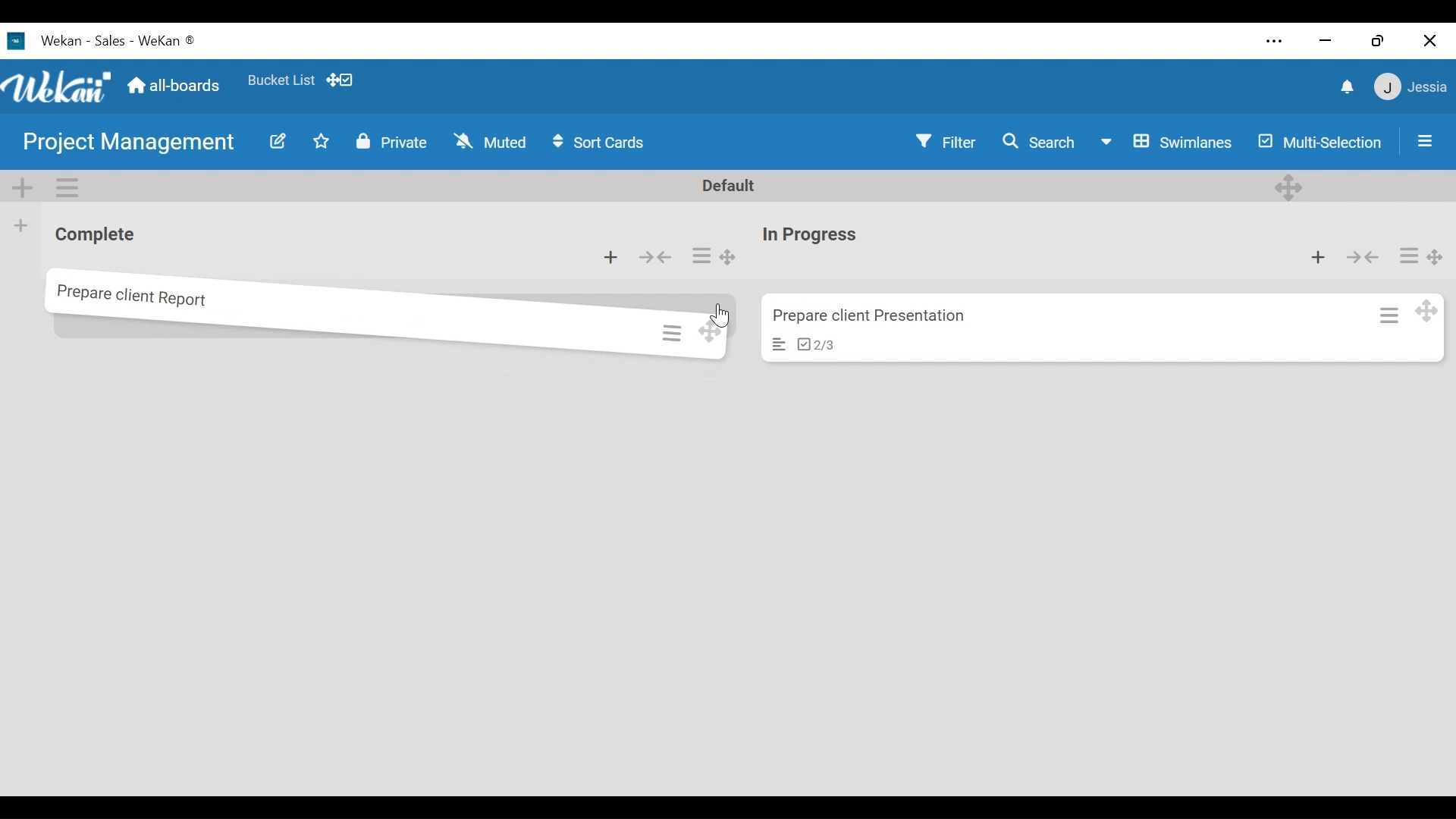  I want to click on List name, so click(94, 237).